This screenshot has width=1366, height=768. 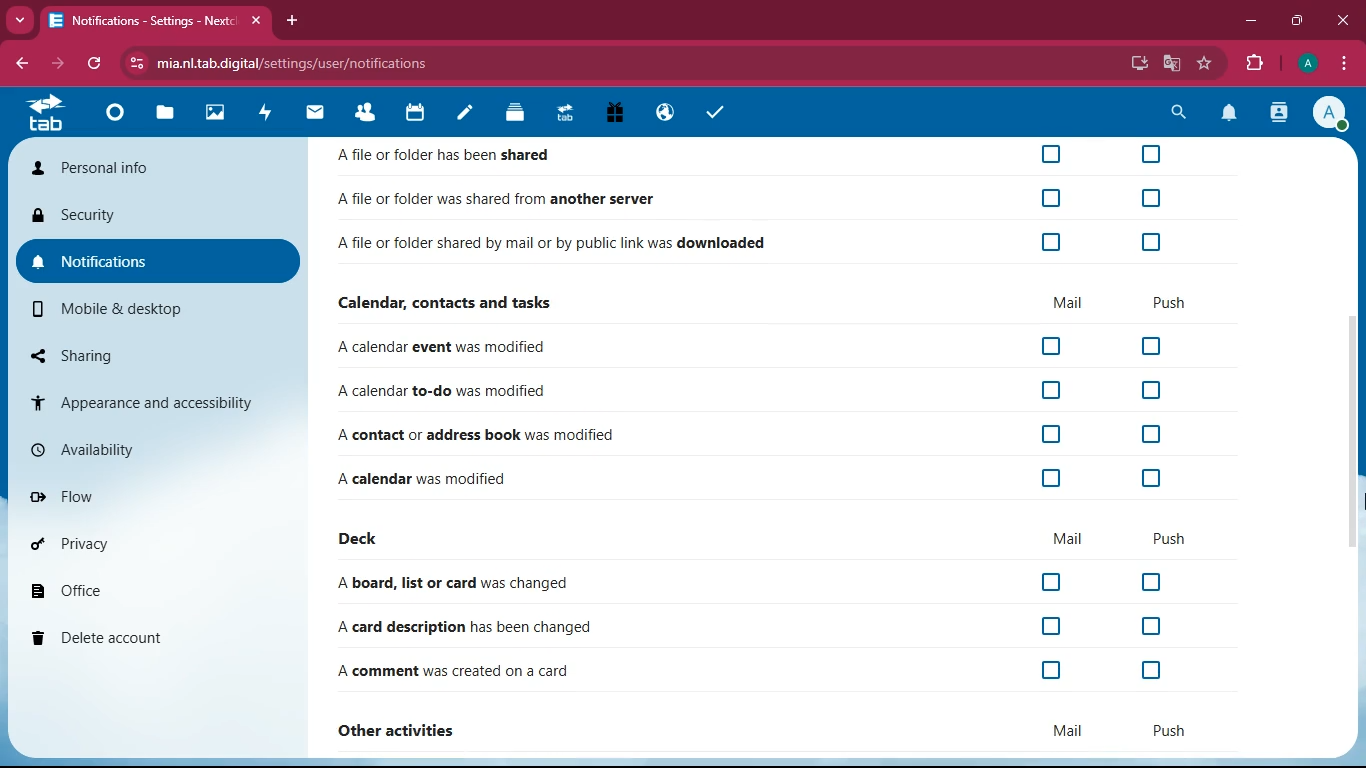 What do you see at coordinates (718, 112) in the screenshot?
I see `tasks` at bounding box center [718, 112].